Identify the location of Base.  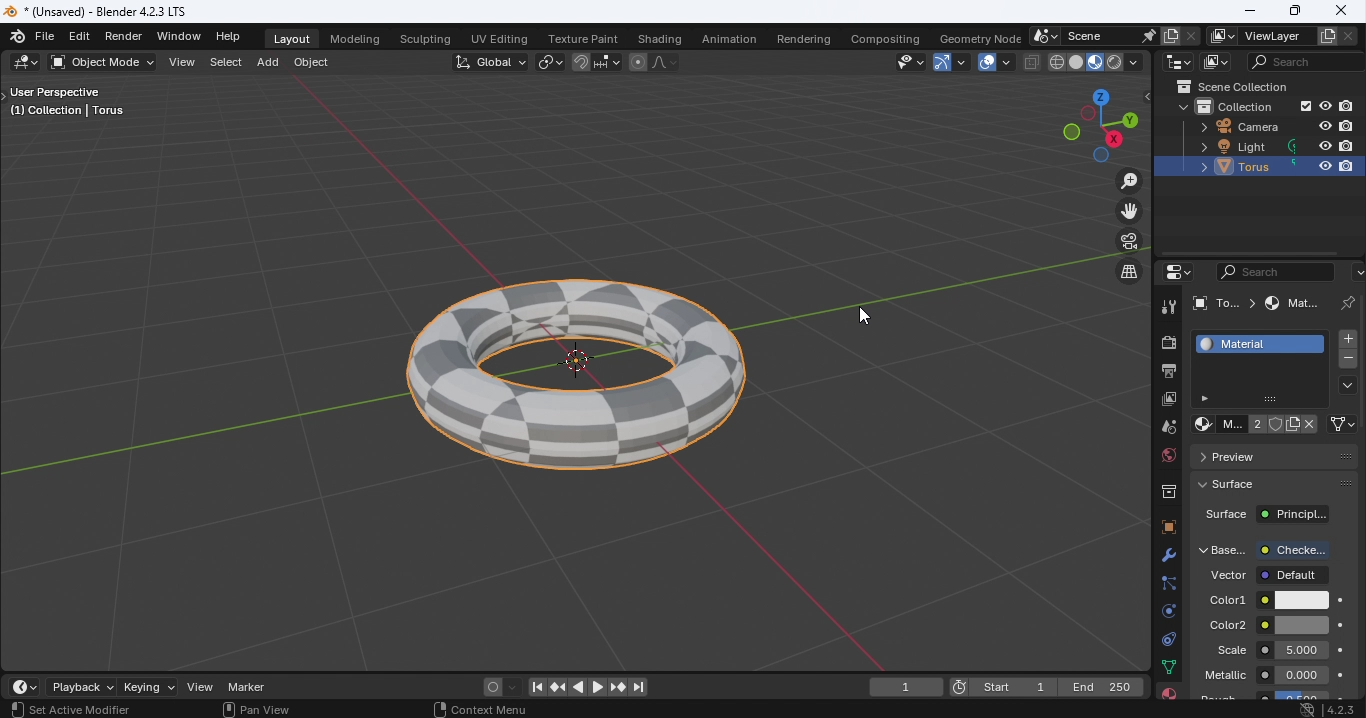
(1262, 550).